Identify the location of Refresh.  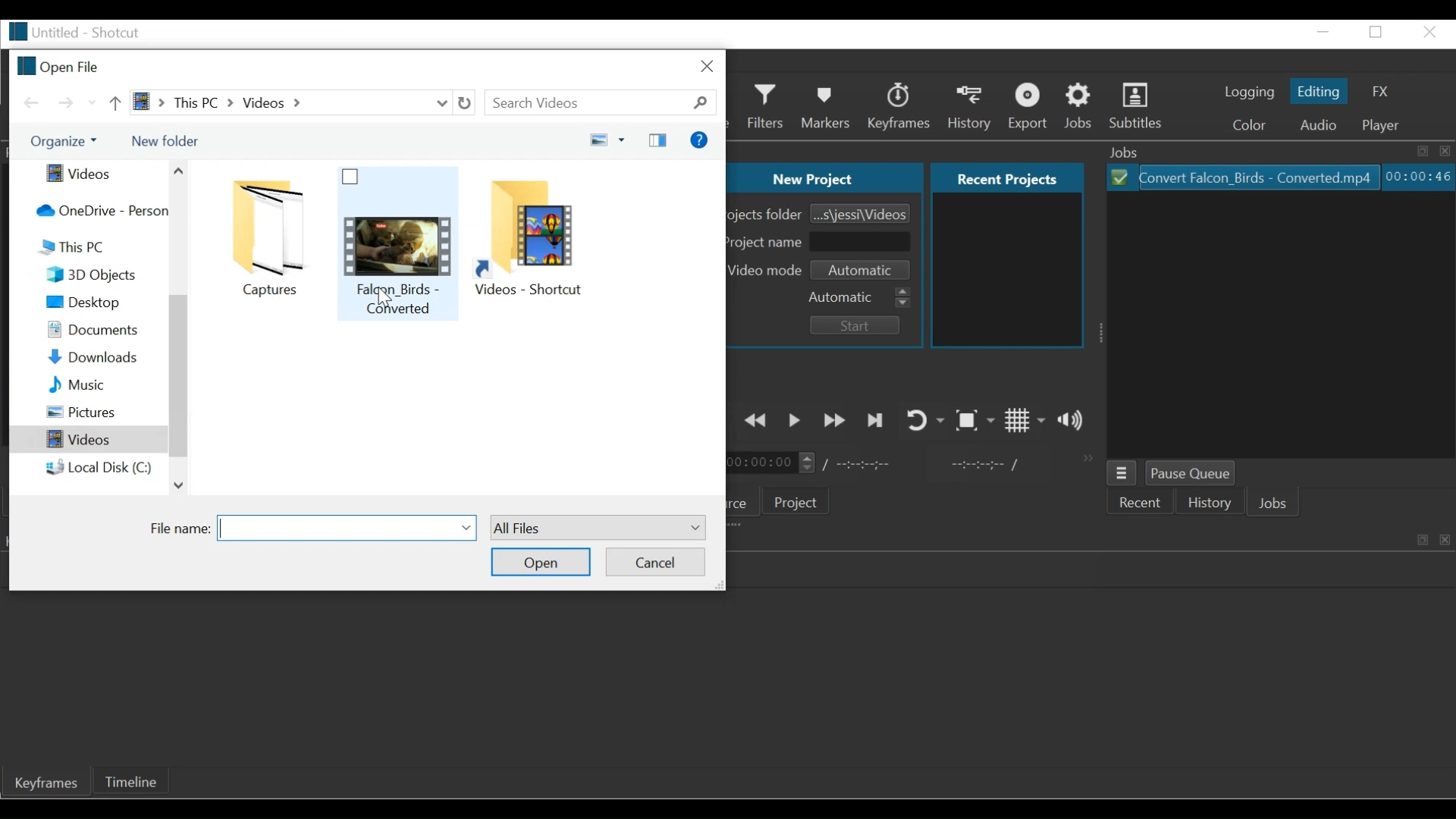
(463, 102).